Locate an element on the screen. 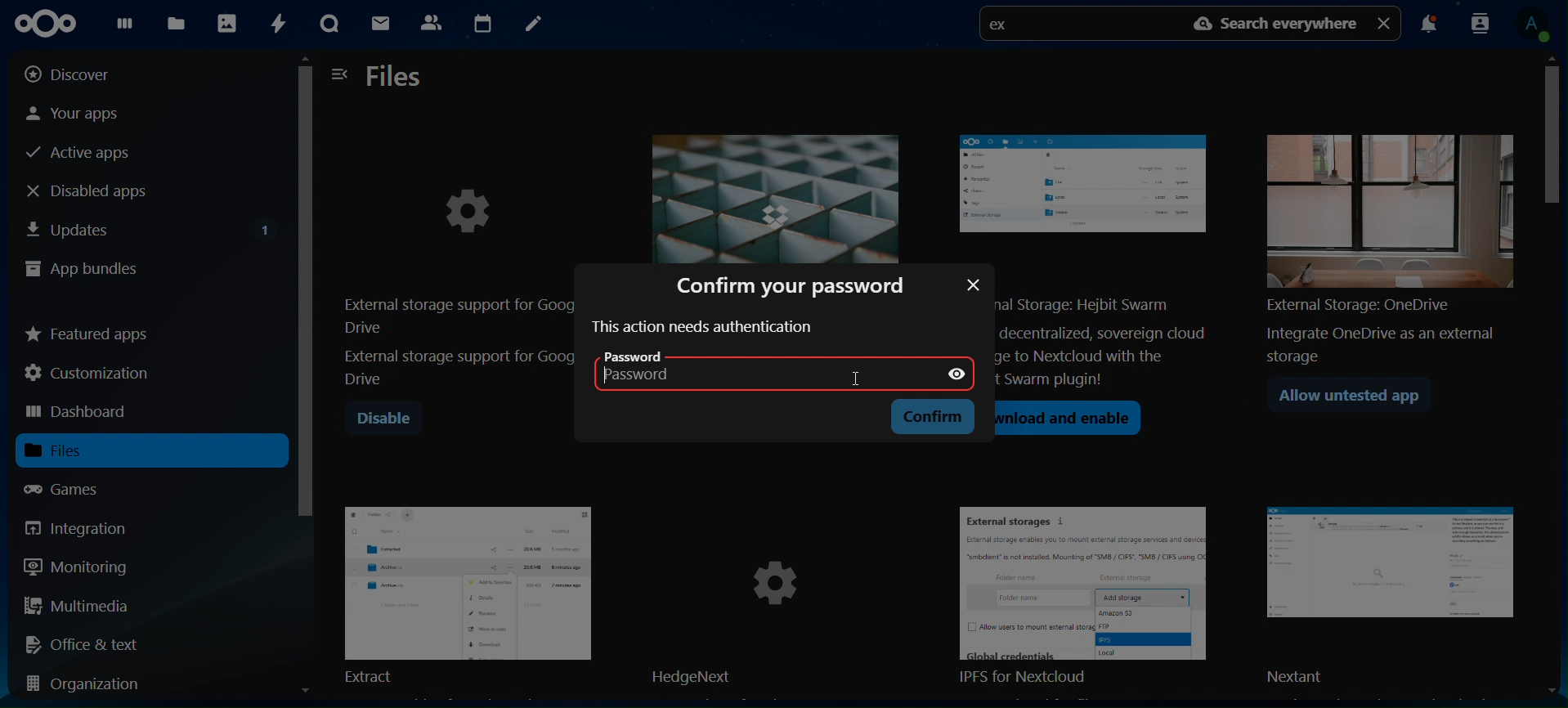 Image resolution: width=1568 pixels, height=708 pixels. integration is located at coordinates (88, 528).